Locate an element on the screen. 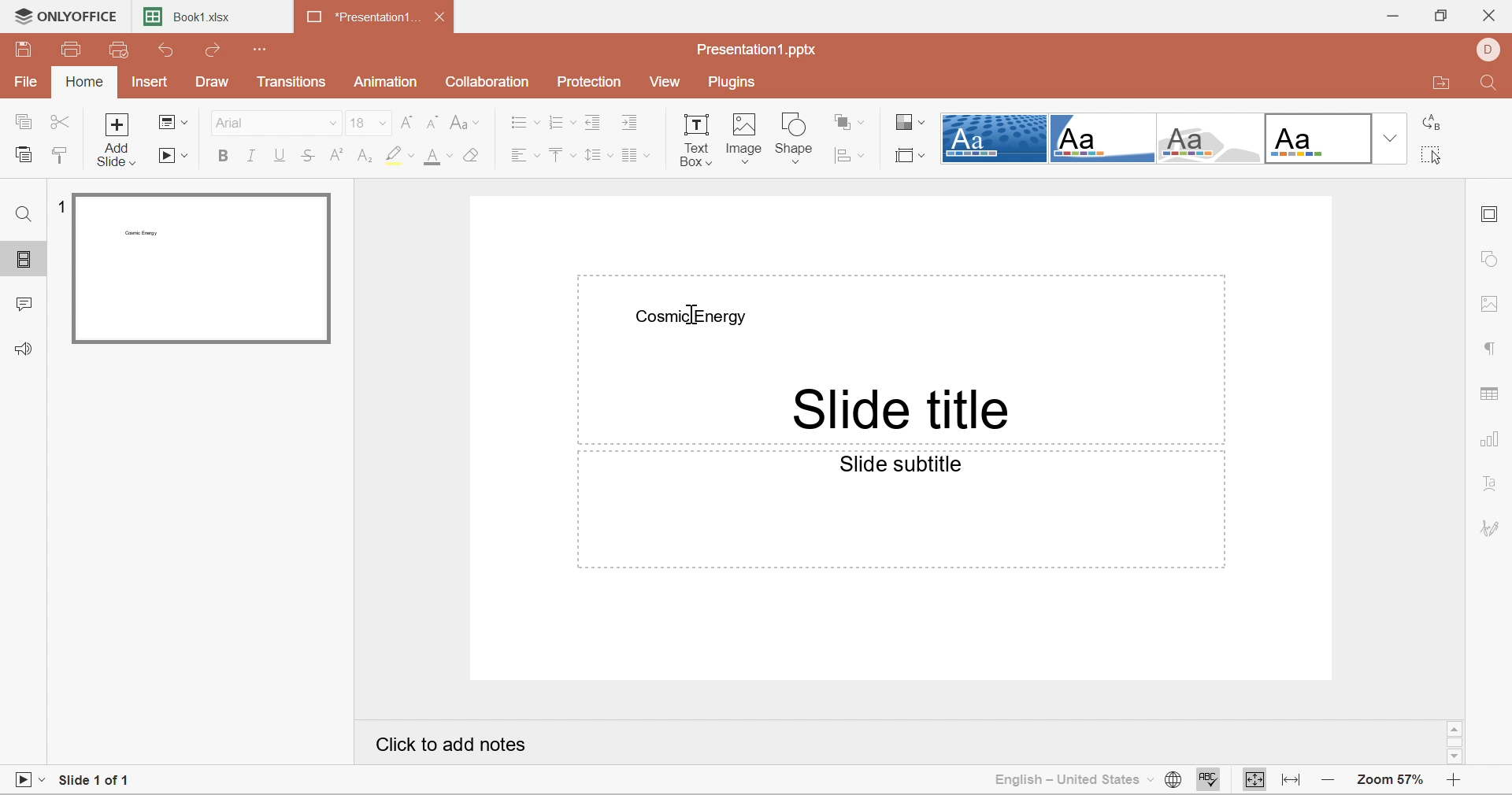 Image resolution: width=1512 pixels, height=795 pixels. English - United States is located at coordinates (1065, 779).